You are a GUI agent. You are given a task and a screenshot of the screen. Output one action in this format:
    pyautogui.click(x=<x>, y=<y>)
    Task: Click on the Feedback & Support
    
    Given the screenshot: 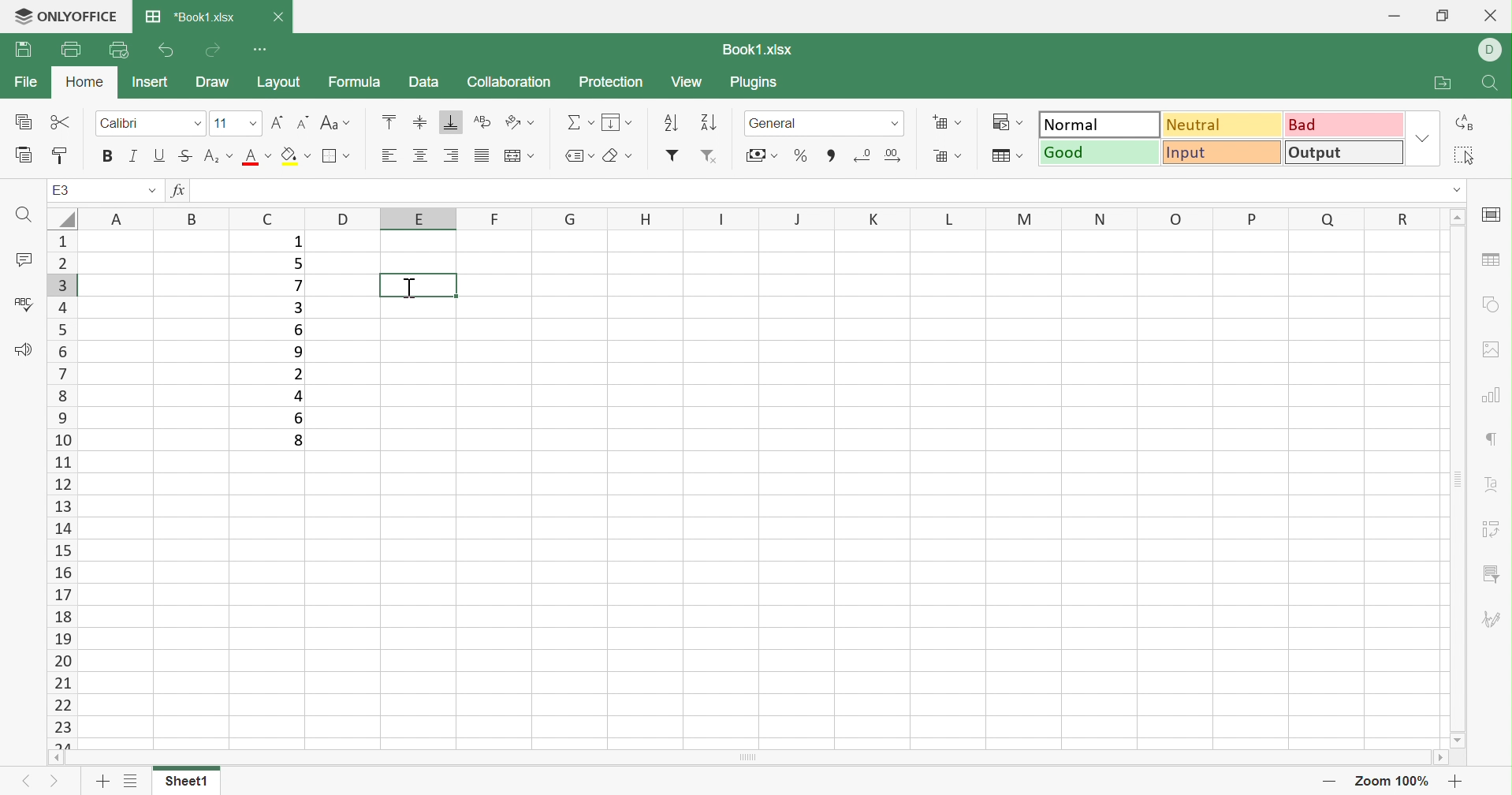 What is the action you would take?
    pyautogui.click(x=23, y=352)
    